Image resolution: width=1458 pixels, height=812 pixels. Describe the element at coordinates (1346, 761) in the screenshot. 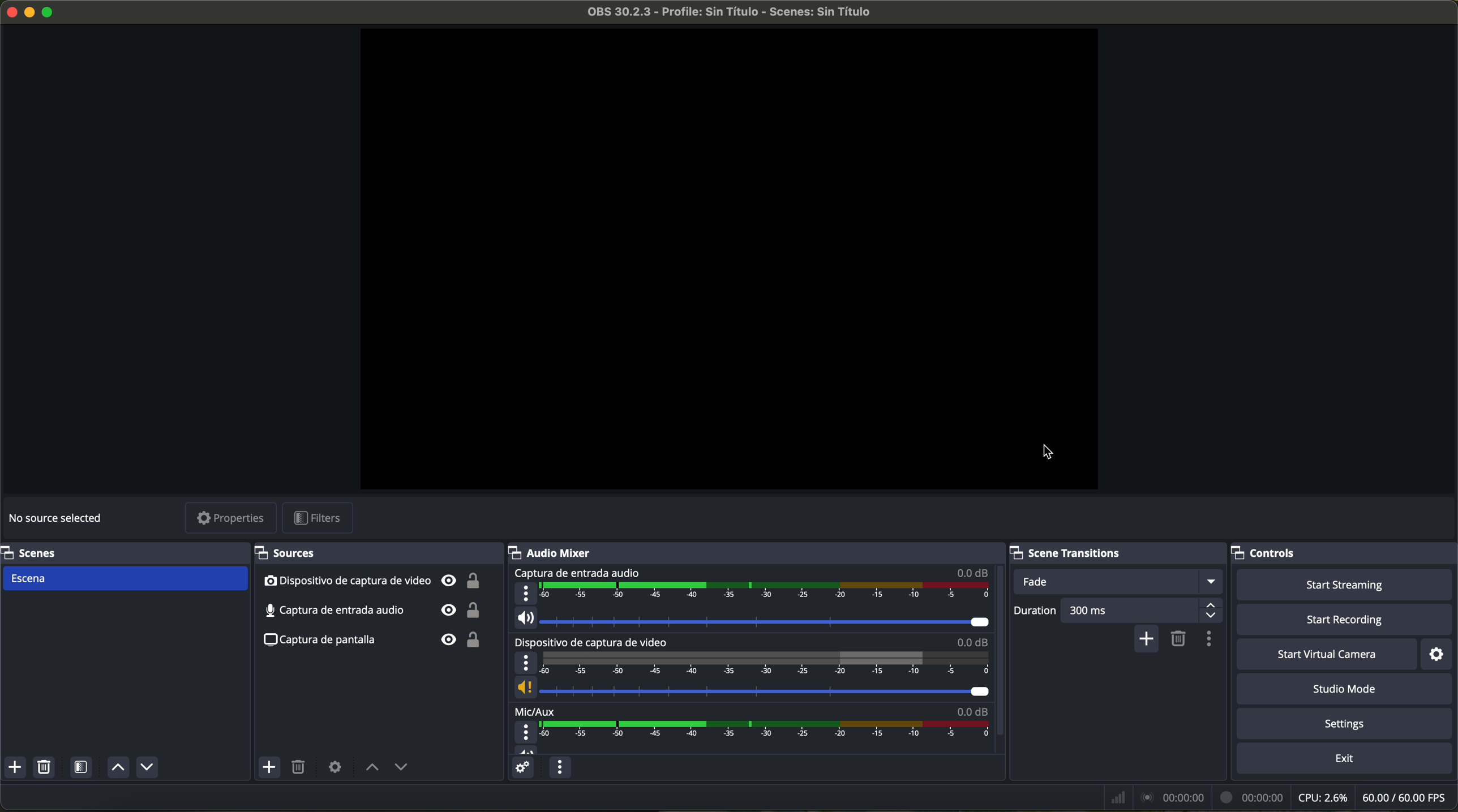

I see `exit` at that location.